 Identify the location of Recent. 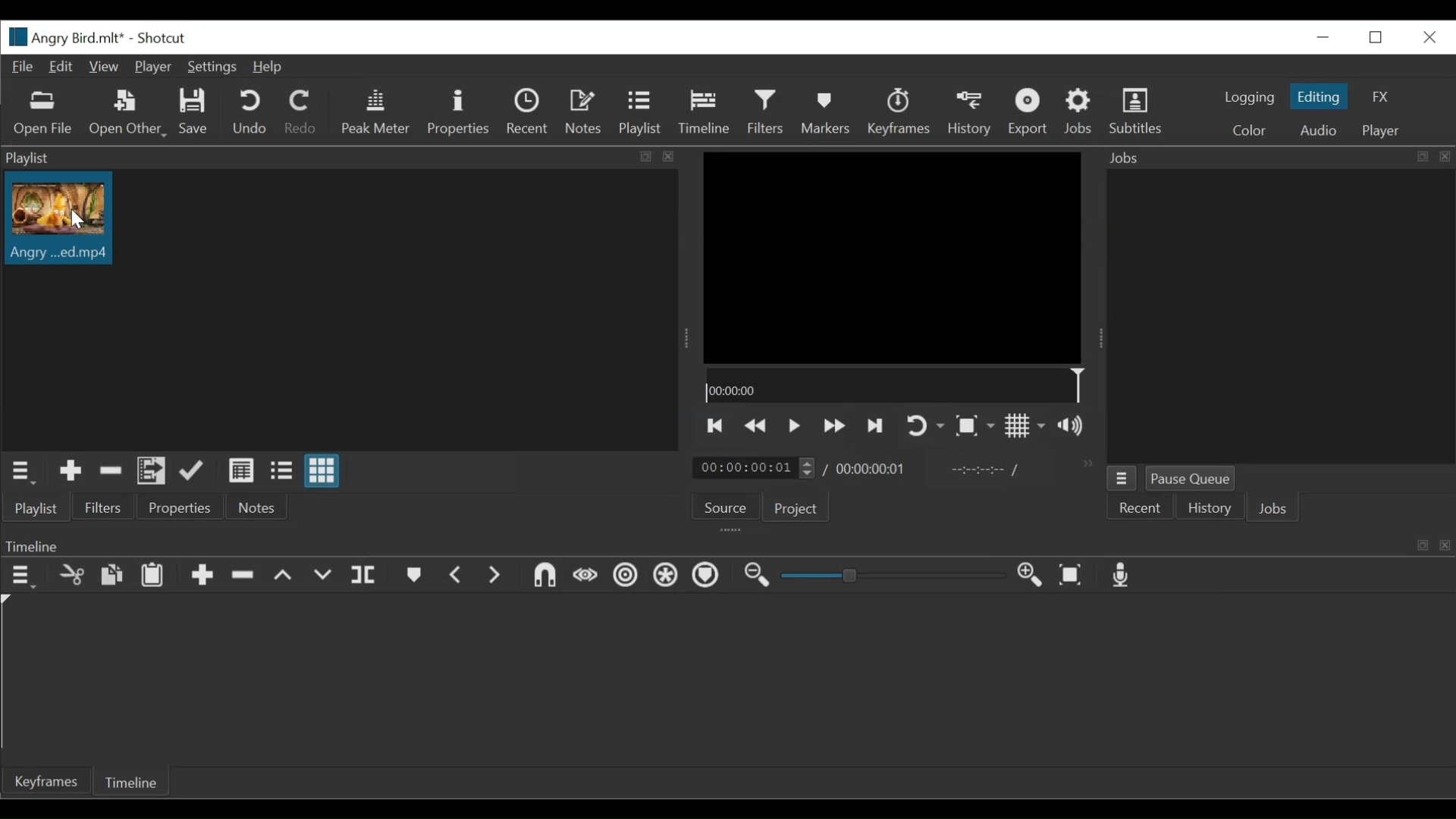
(529, 113).